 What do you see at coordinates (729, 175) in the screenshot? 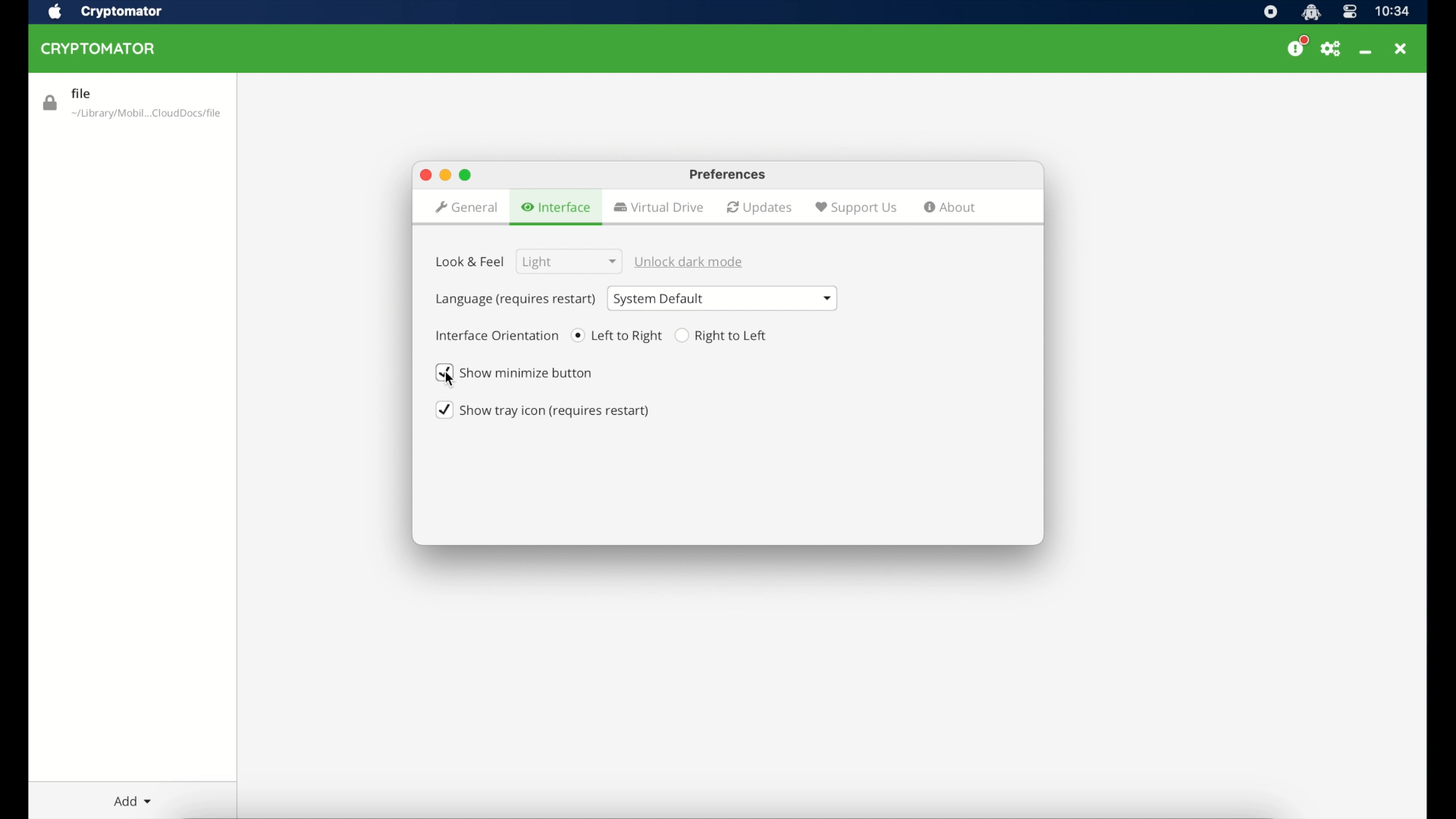
I see `preferences` at bounding box center [729, 175].